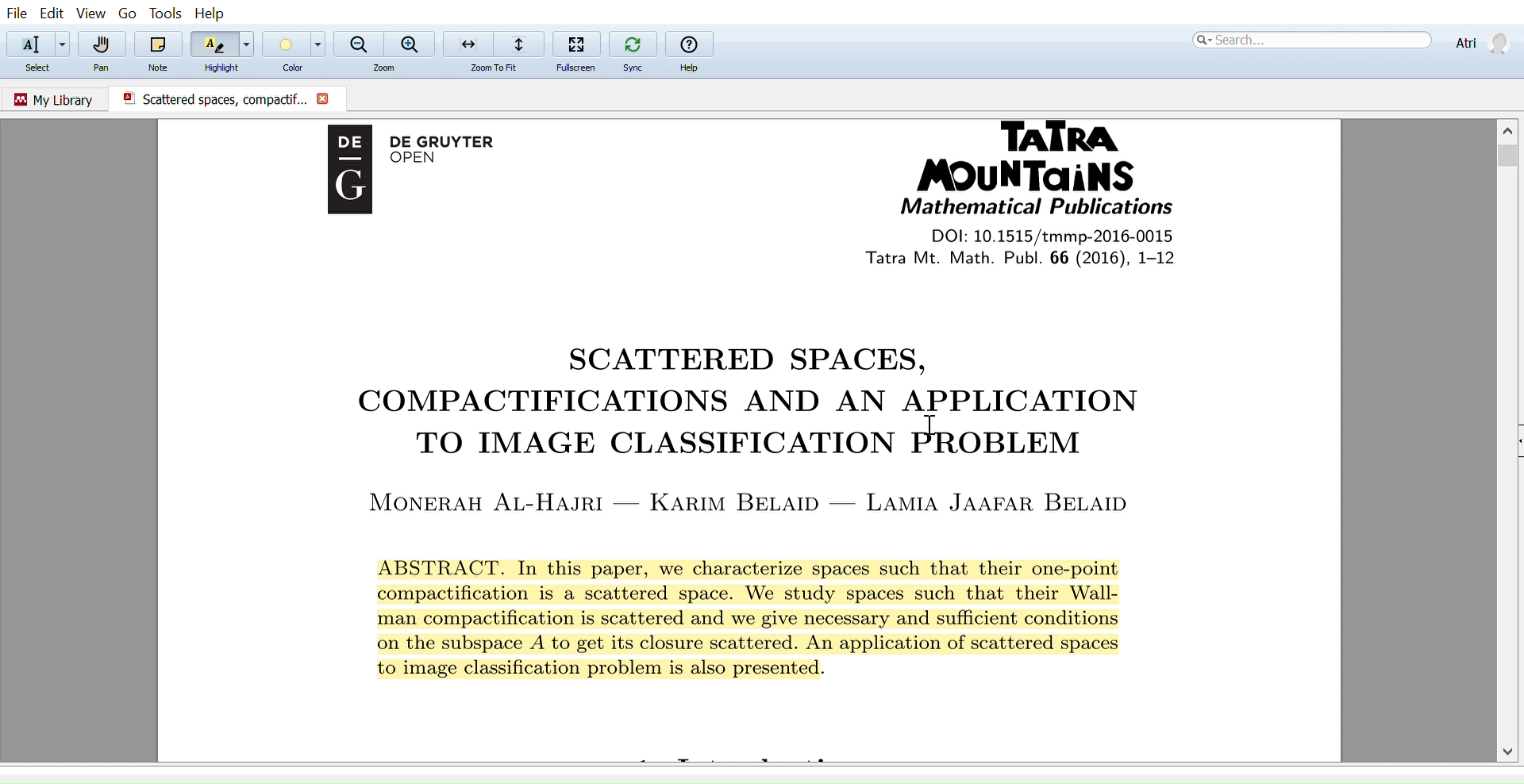 This screenshot has width=1524, height=784. What do you see at coordinates (1510, 128) in the screenshot?
I see `Move up` at bounding box center [1510, 128].